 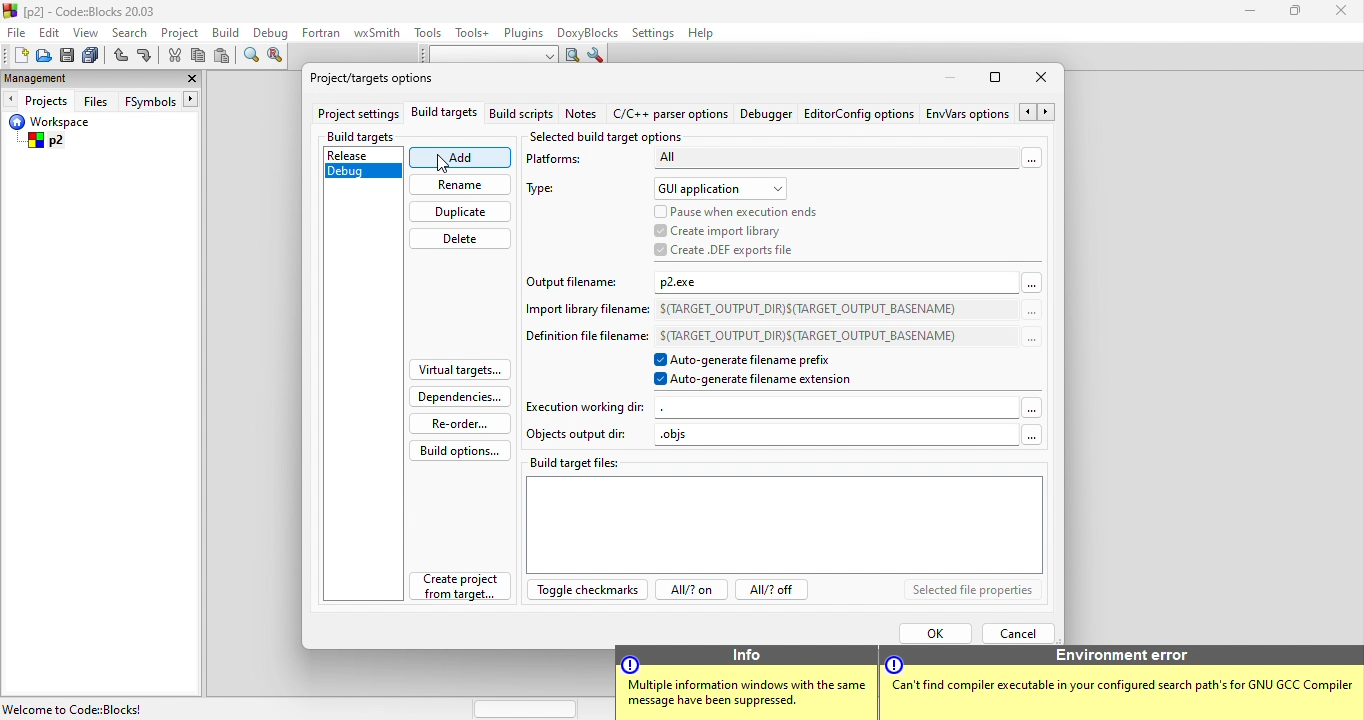 What do you see at coordinates (187, 80) in the screenshot?
I see `close` at bounding box center [187, 80].